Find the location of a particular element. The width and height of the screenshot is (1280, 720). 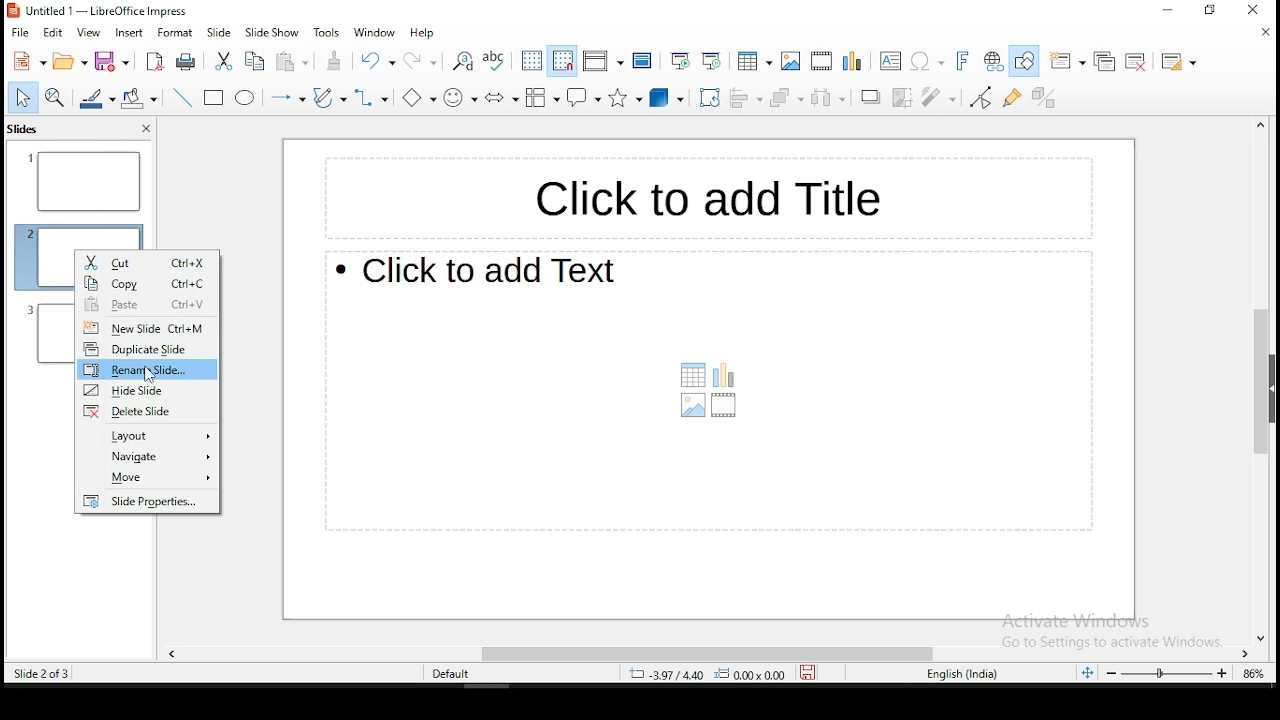

slide 1 is located at coordinates (84, 182).